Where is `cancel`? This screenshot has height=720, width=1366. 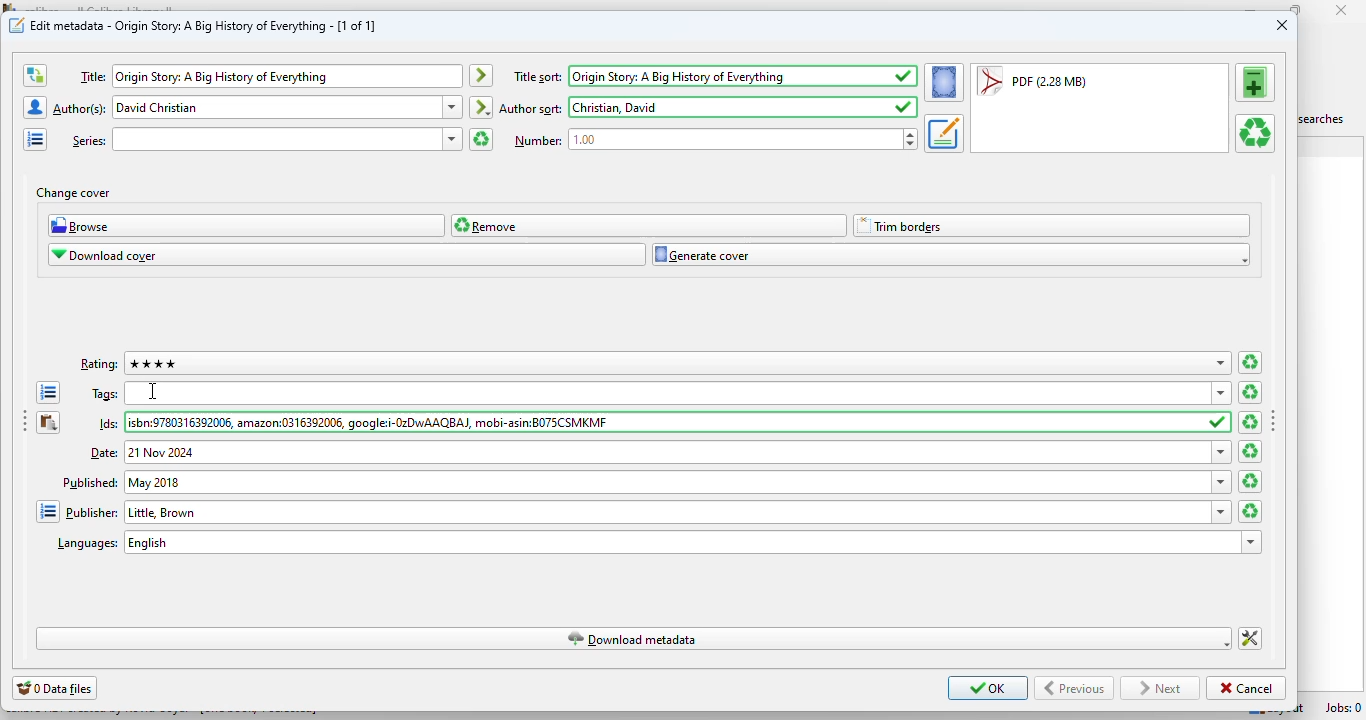 cancel is located at coordinates (1246, 689).